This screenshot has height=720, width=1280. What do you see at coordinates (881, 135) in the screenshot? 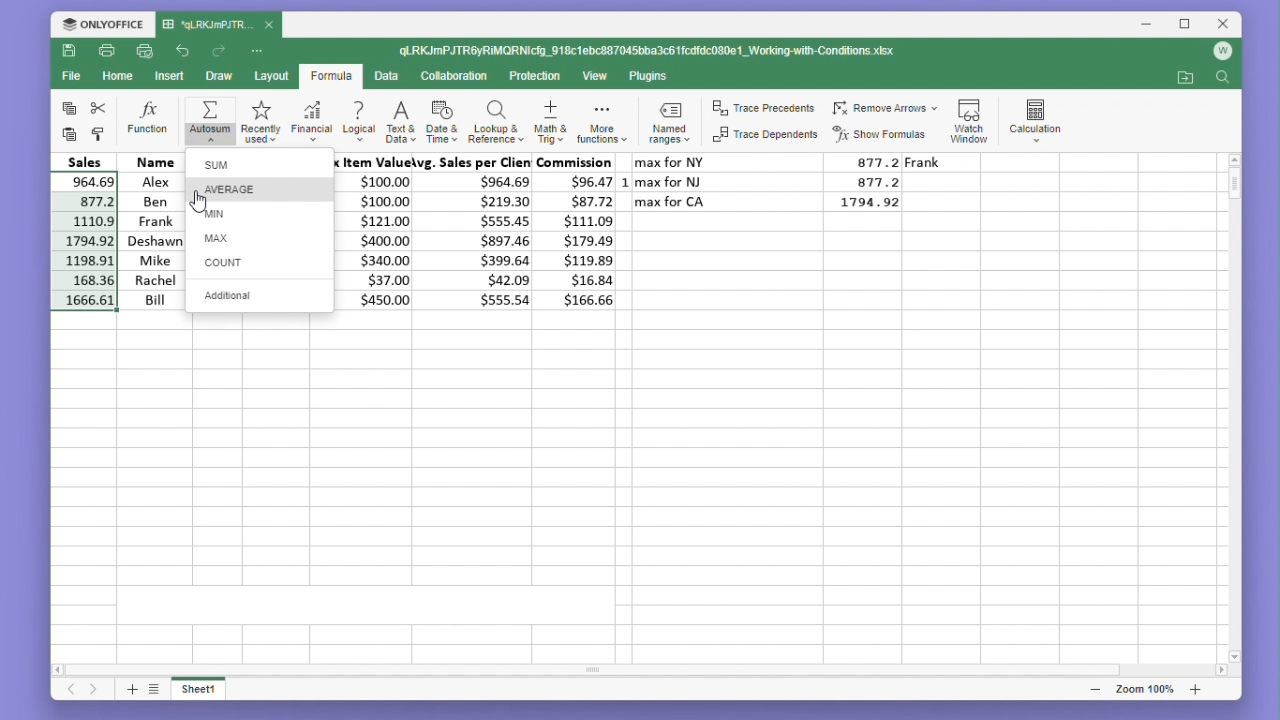
I see `Show formulas` at bounding box center [881, 135].